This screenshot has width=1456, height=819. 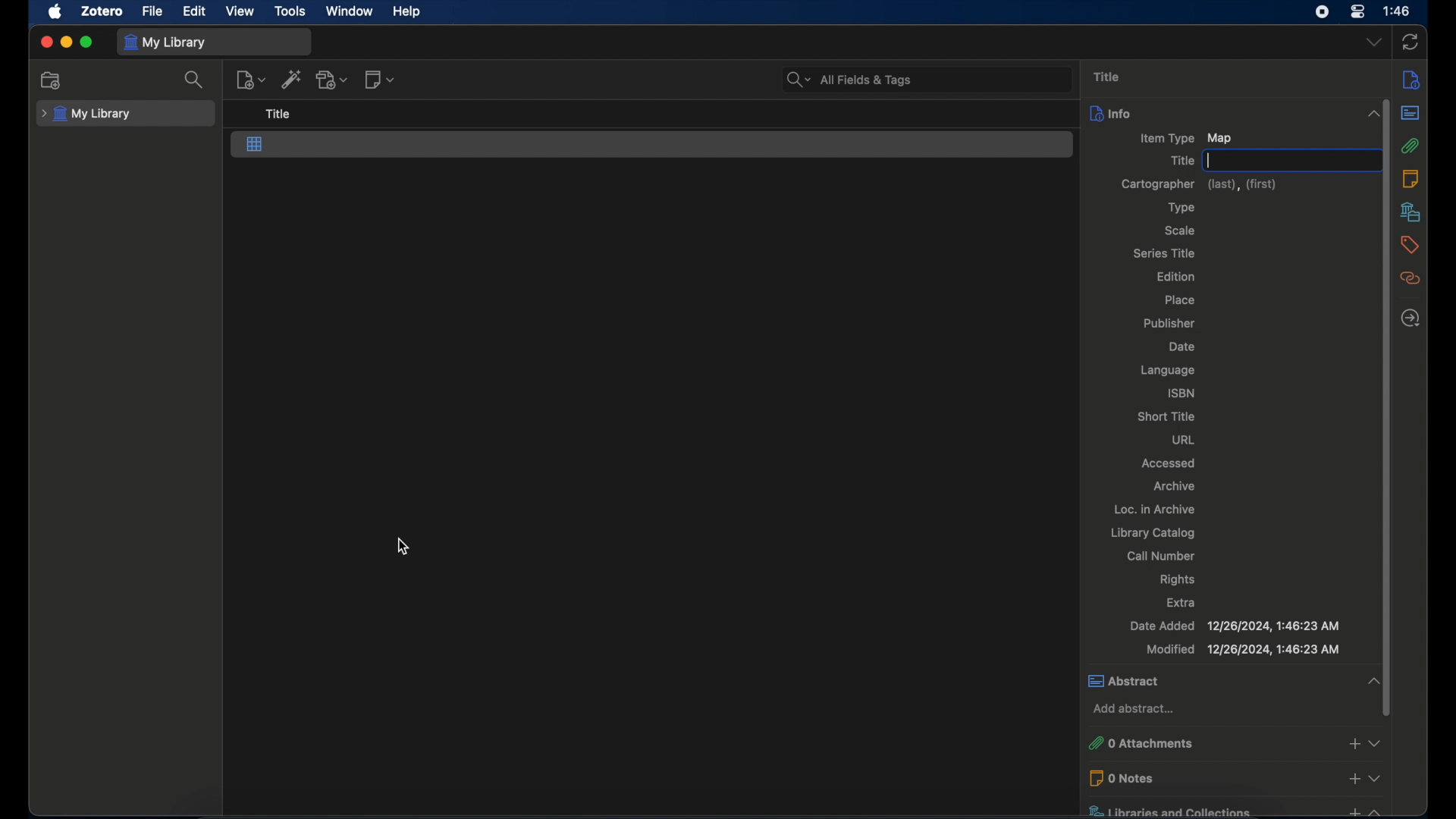 What do you see at coordinates (1411, 212) in the screenshot?
I see `libraries` at bounding box center [1411, 212].